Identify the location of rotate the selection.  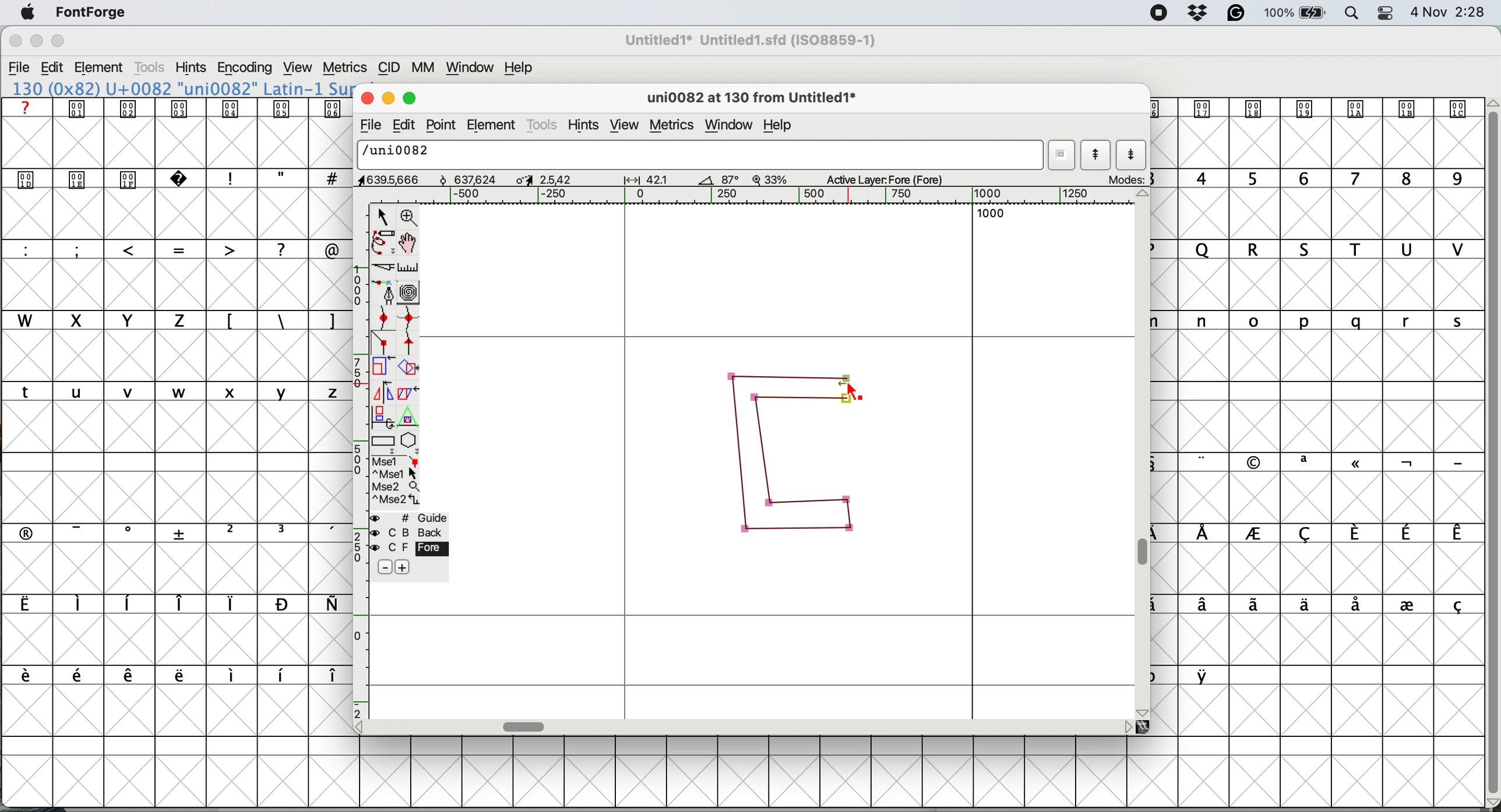
(409, 369).